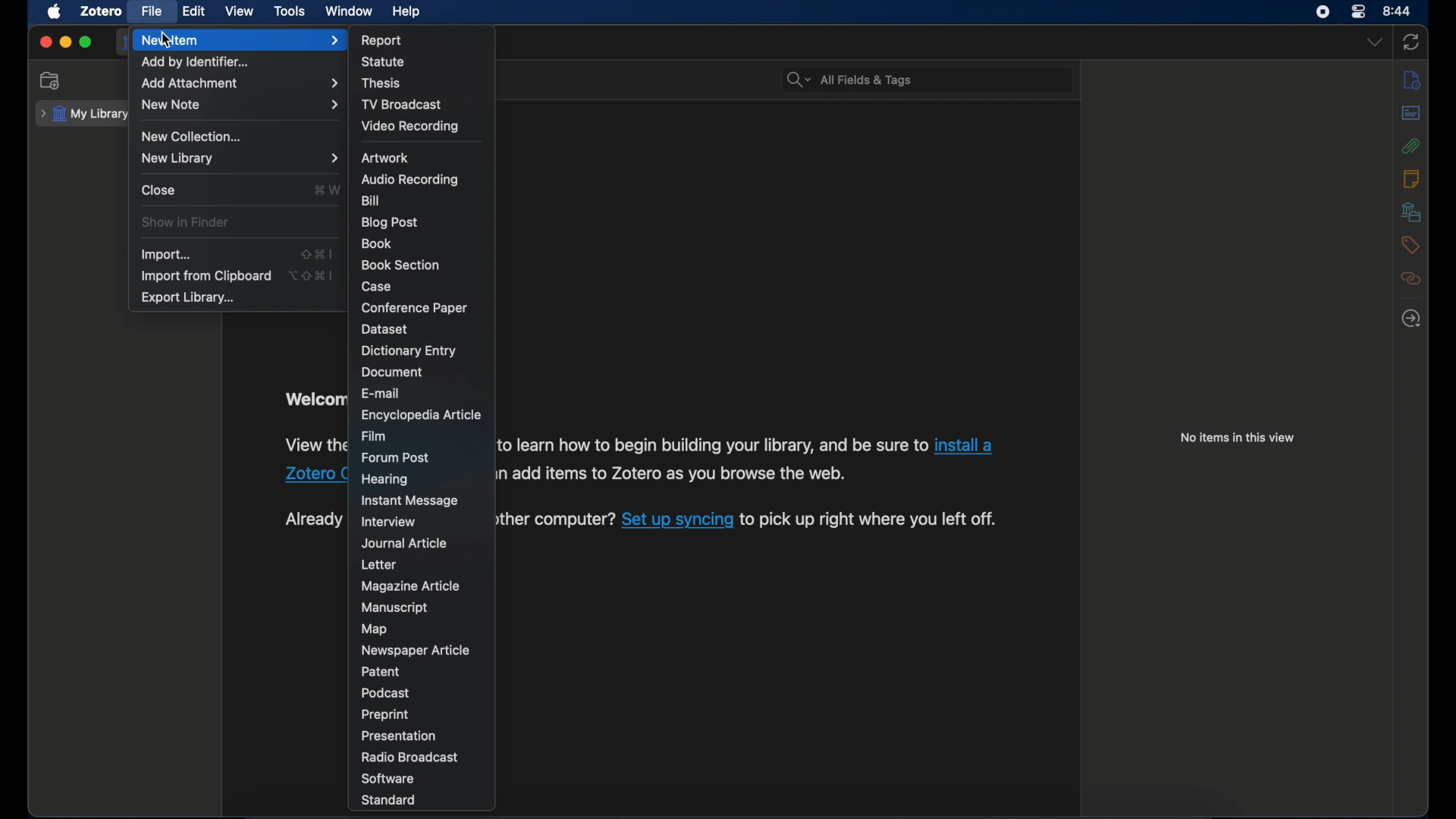 This screenshot has width=1456, height=819. I want to click on blog post, so click(391, 222).